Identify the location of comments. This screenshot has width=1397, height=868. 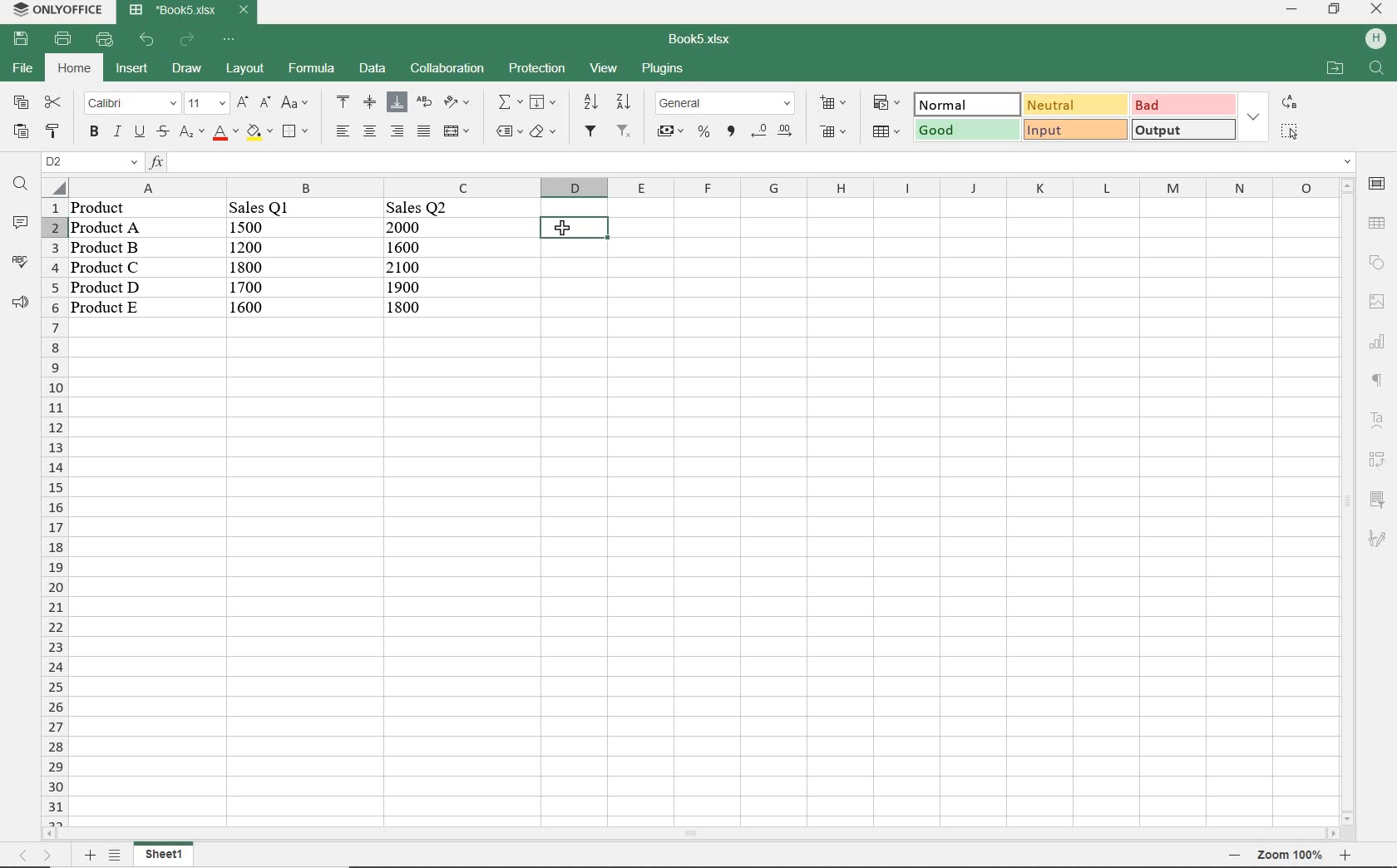
(19, 223).